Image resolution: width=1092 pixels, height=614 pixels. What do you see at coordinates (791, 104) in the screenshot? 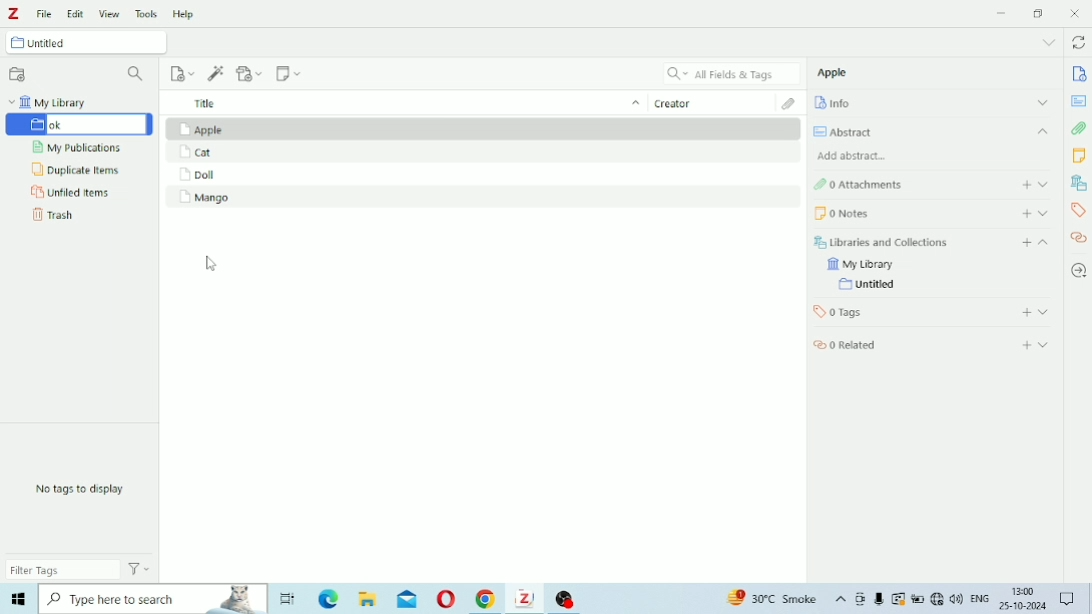
I see `Attachments` at bounding box center [791, 104].